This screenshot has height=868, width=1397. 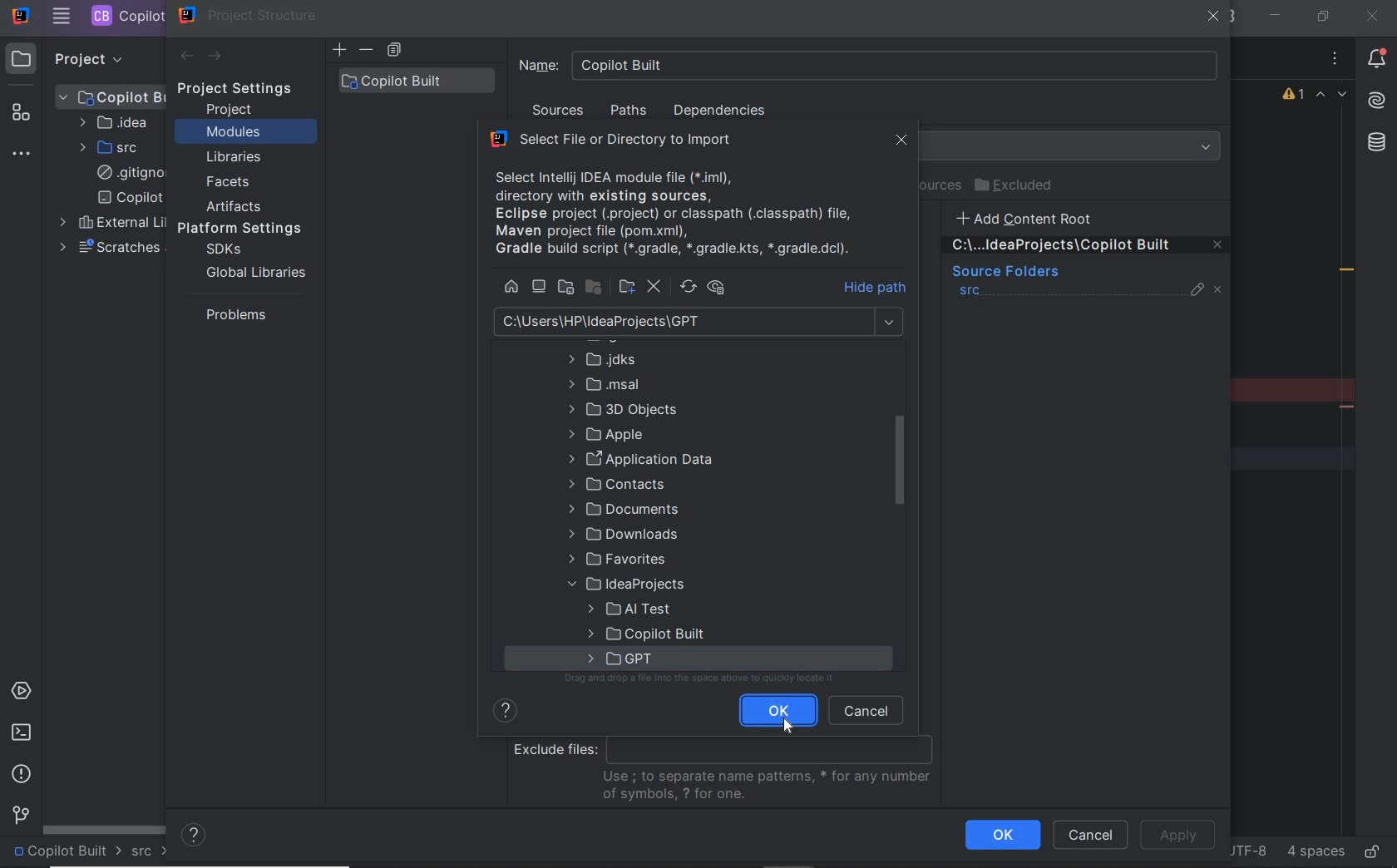 I want to click on folder, so click(x=626, y=584).